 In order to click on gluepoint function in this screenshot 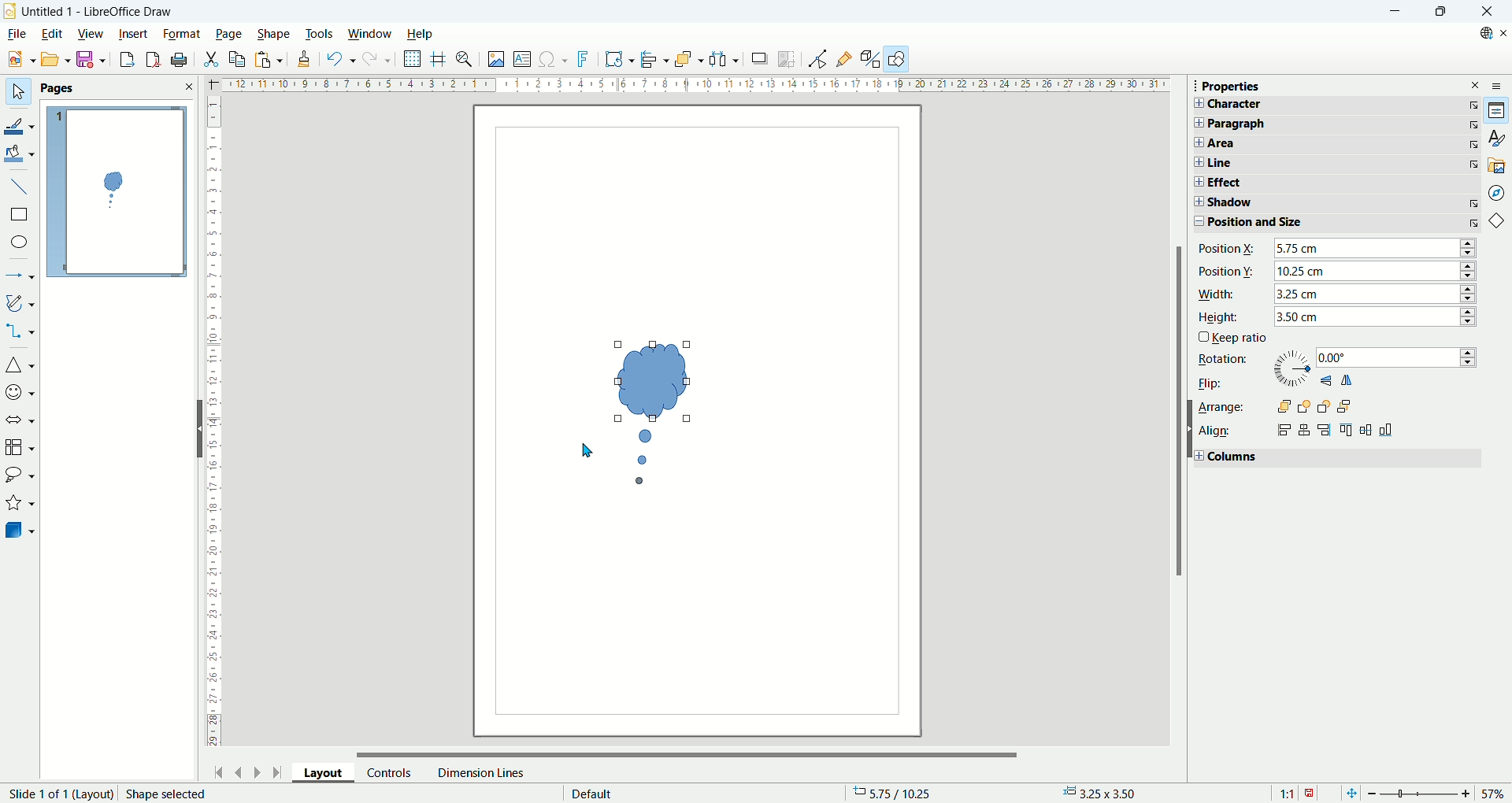, I will do `click(845, 58)`.